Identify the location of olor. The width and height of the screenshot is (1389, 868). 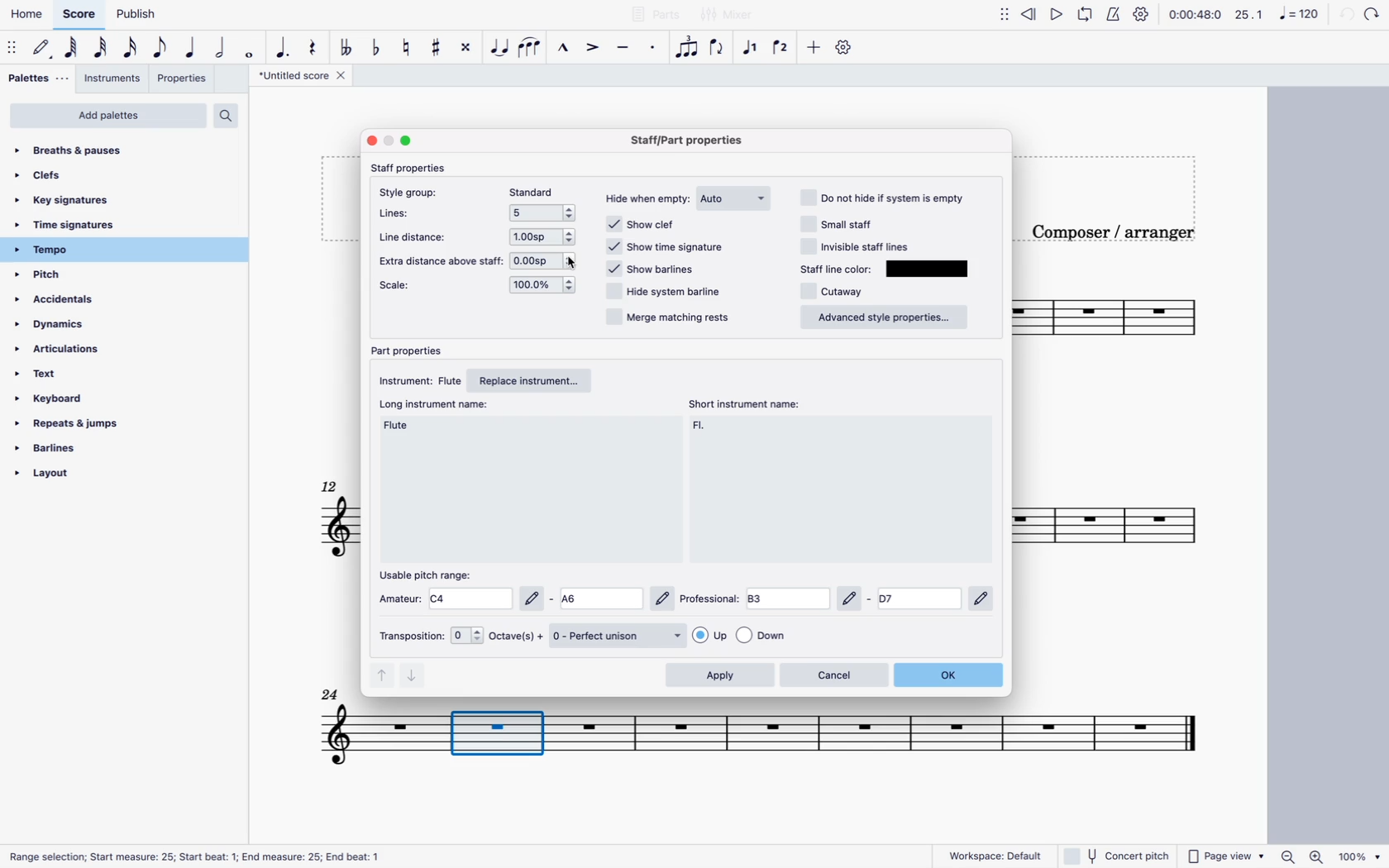
(931, 269).